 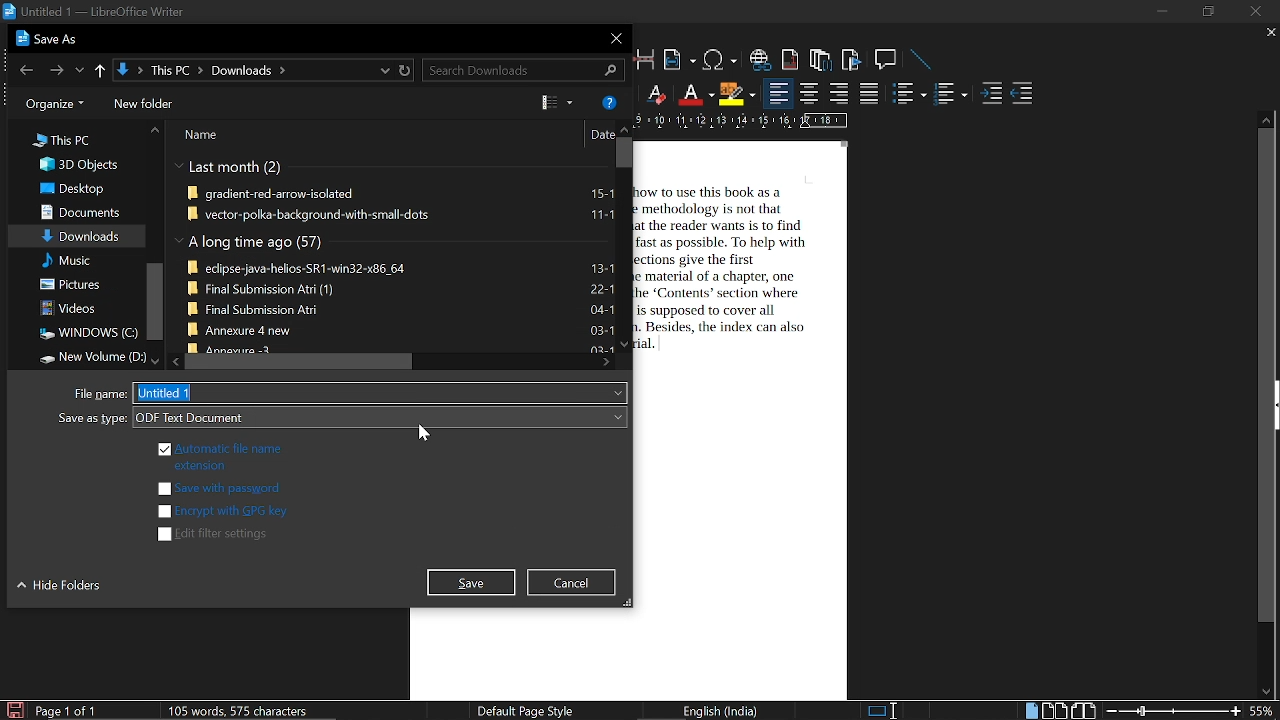 What do you see at coordinates (379, 417) in the screenshot?
I see `save type` at bounding box center [379, 417].